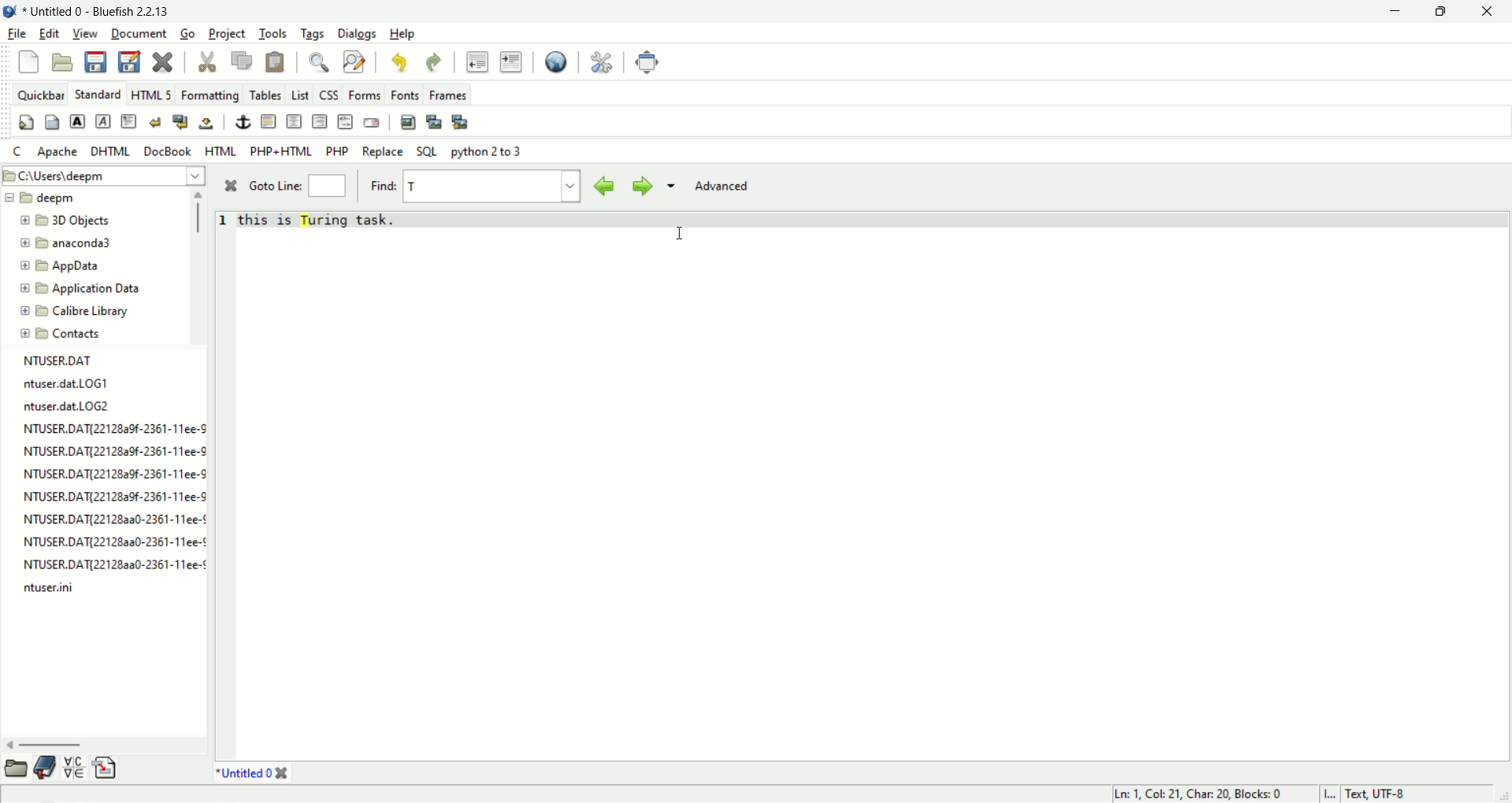 Image resolution: width=1512 pixels, height=803 pixels. Describe the element at coordinates (74, 332) in the screenshot. I see `folder name` at that location.